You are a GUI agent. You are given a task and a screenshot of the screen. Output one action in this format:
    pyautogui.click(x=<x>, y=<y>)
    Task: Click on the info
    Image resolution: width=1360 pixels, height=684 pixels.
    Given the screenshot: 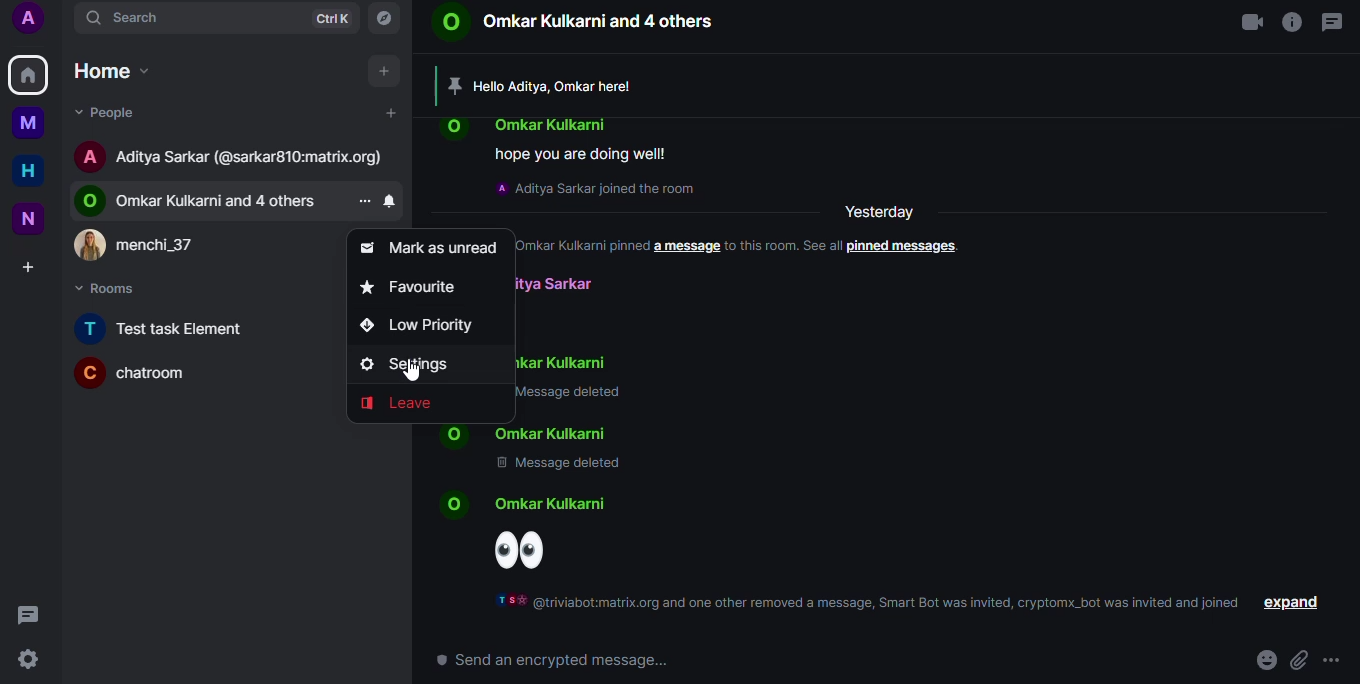 What is the action you would take?
    pyautogui.click(x=1289, y=24)
    